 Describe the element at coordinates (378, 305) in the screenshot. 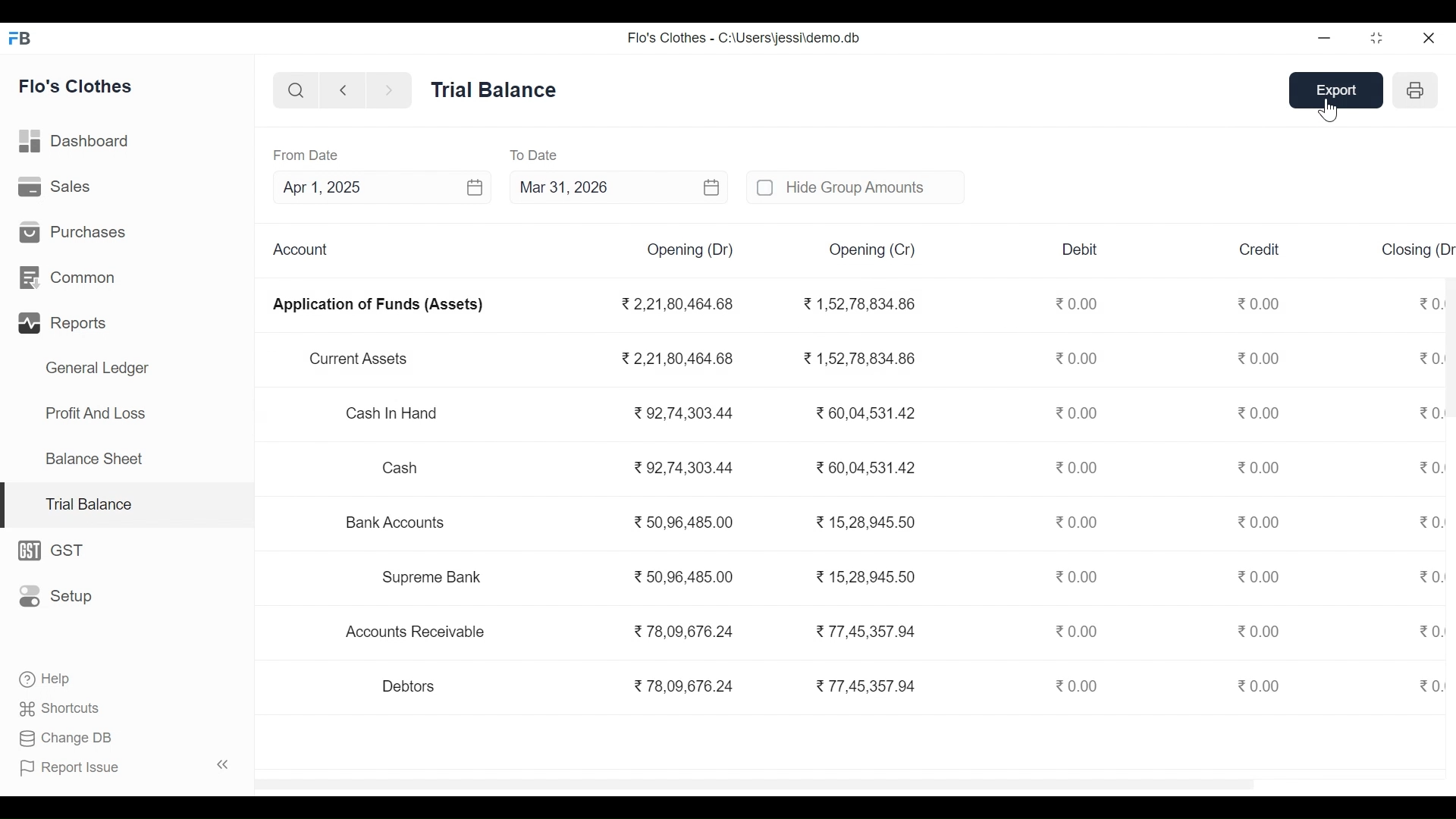

I see `Application of Funds (Assets)` at that location.